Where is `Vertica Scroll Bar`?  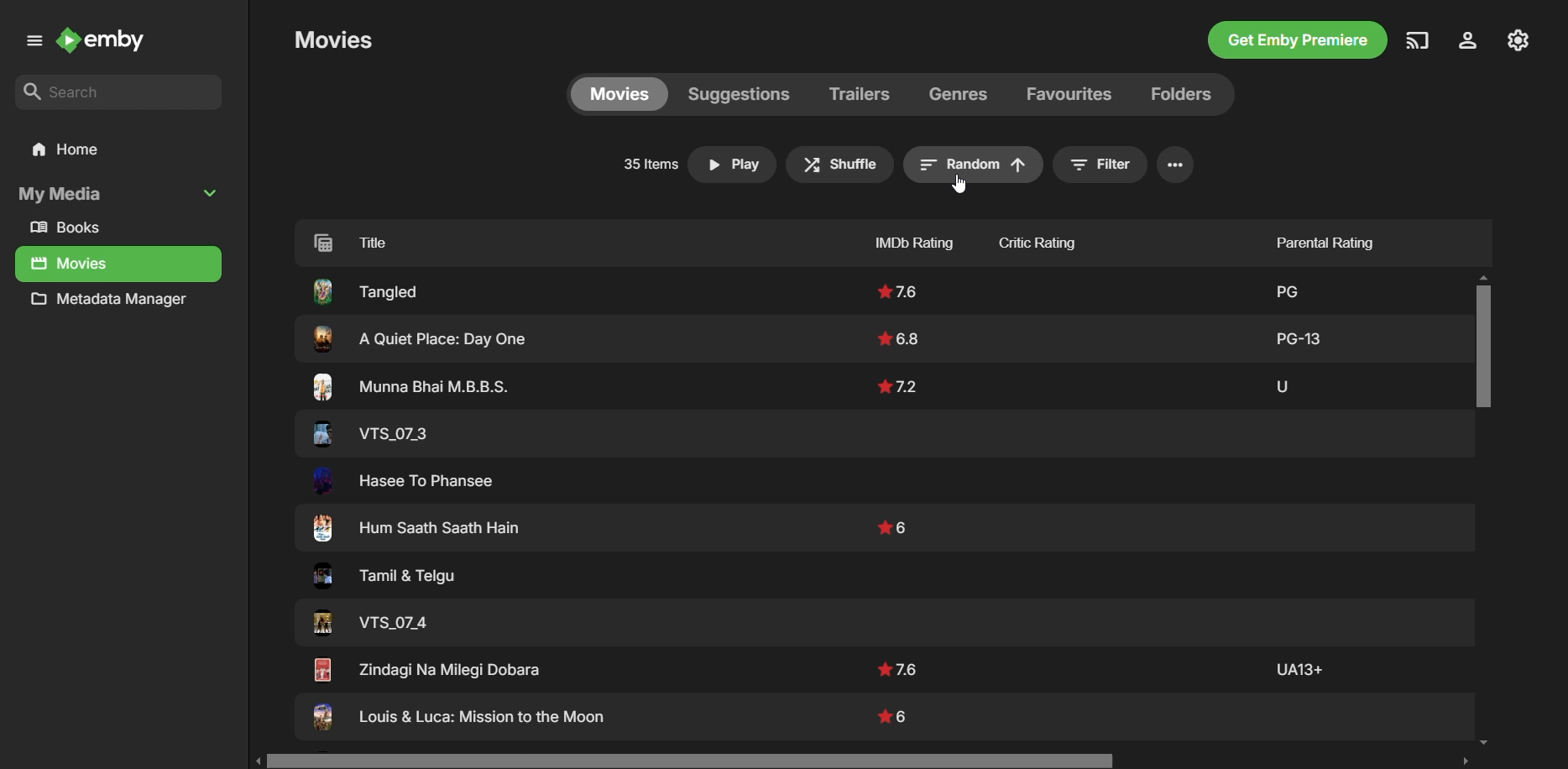
Vertica Scroll Bar is located at coordinates (1484, 512).